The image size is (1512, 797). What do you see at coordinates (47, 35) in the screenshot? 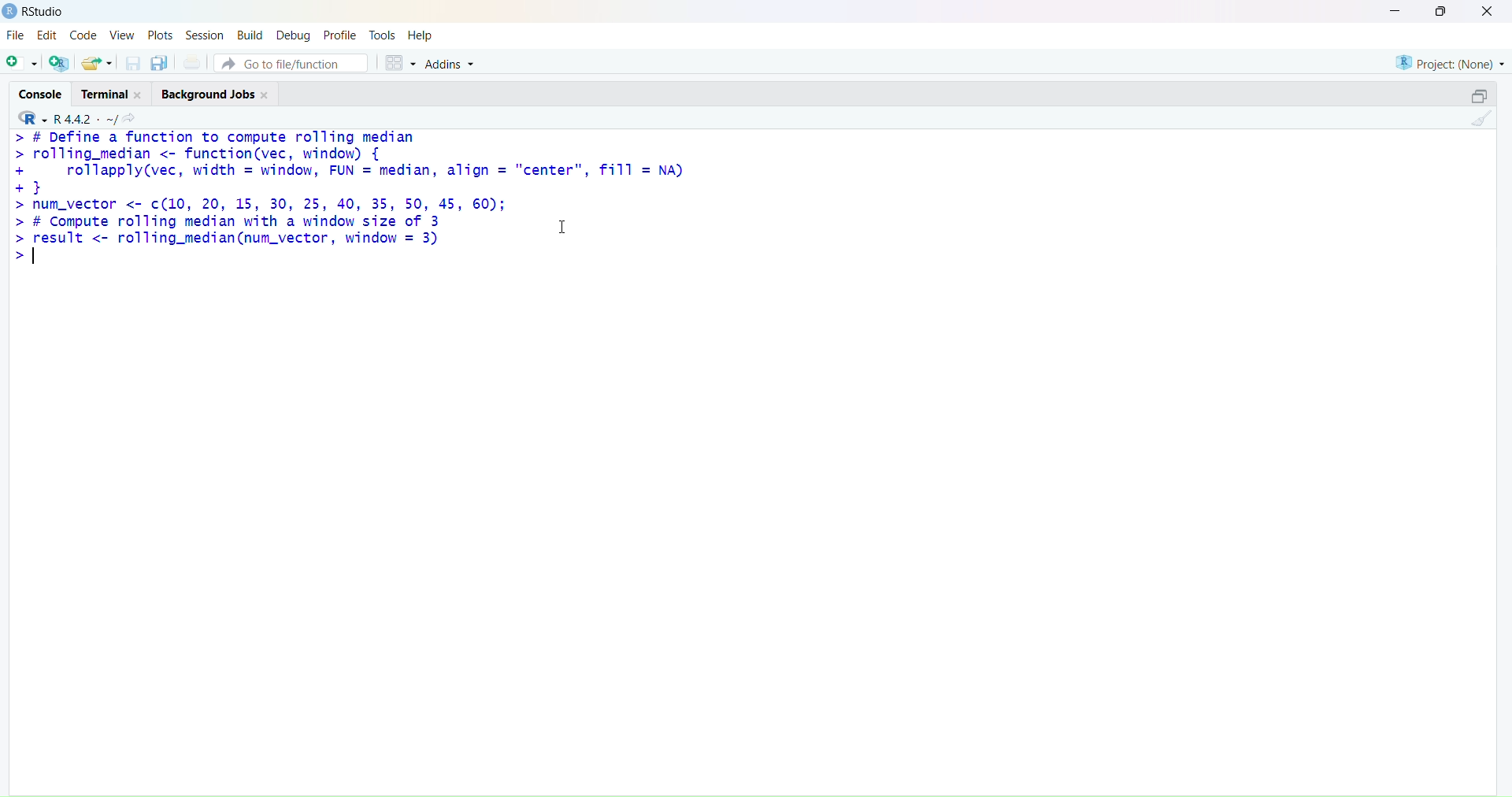
I see `edit` at bounding box center [47, 35].